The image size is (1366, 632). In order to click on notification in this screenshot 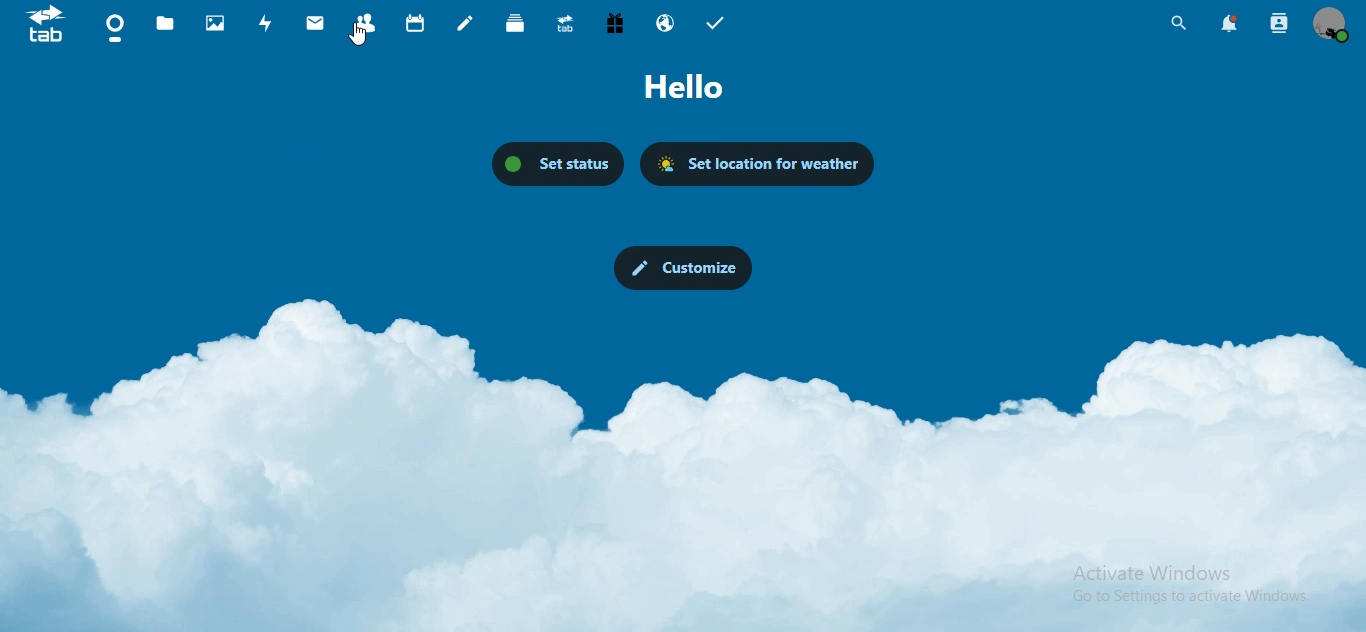, I will do `click(1231, 24)`.